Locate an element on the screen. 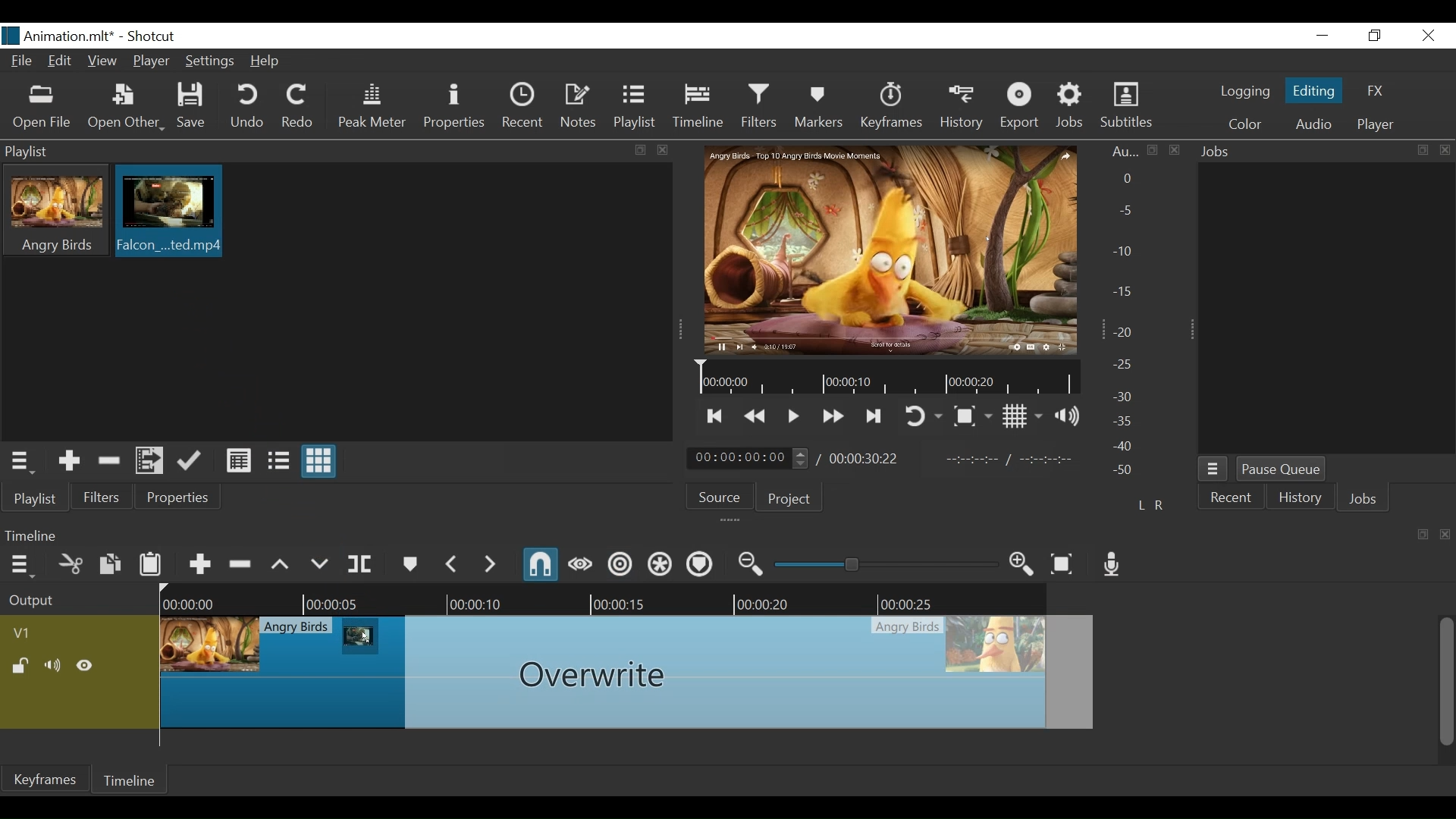 Image resolution: width=1456 pixels, height=819 pixels. Split at playhead is located at coordinates (360, 563).